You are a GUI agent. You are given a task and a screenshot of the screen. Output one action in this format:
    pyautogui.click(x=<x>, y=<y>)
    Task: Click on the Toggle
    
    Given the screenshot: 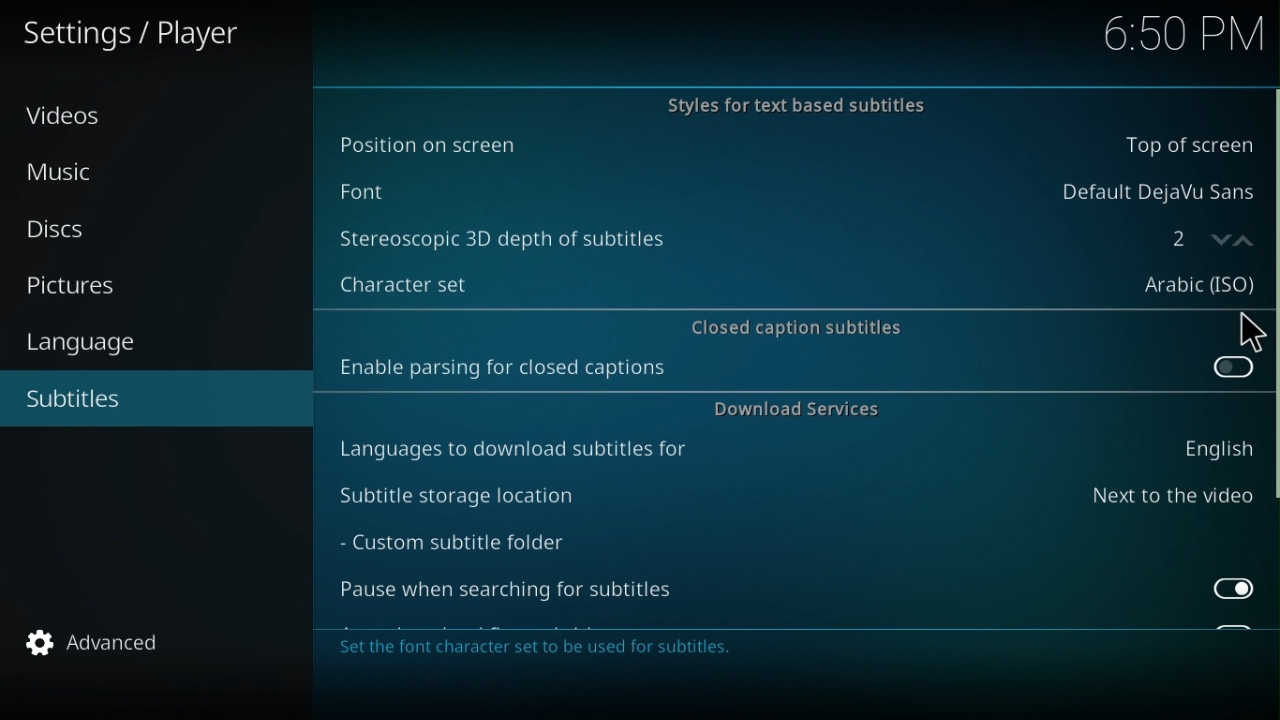 What is the action you would take?
    pyautogui.click(x=1229, y=589)
    